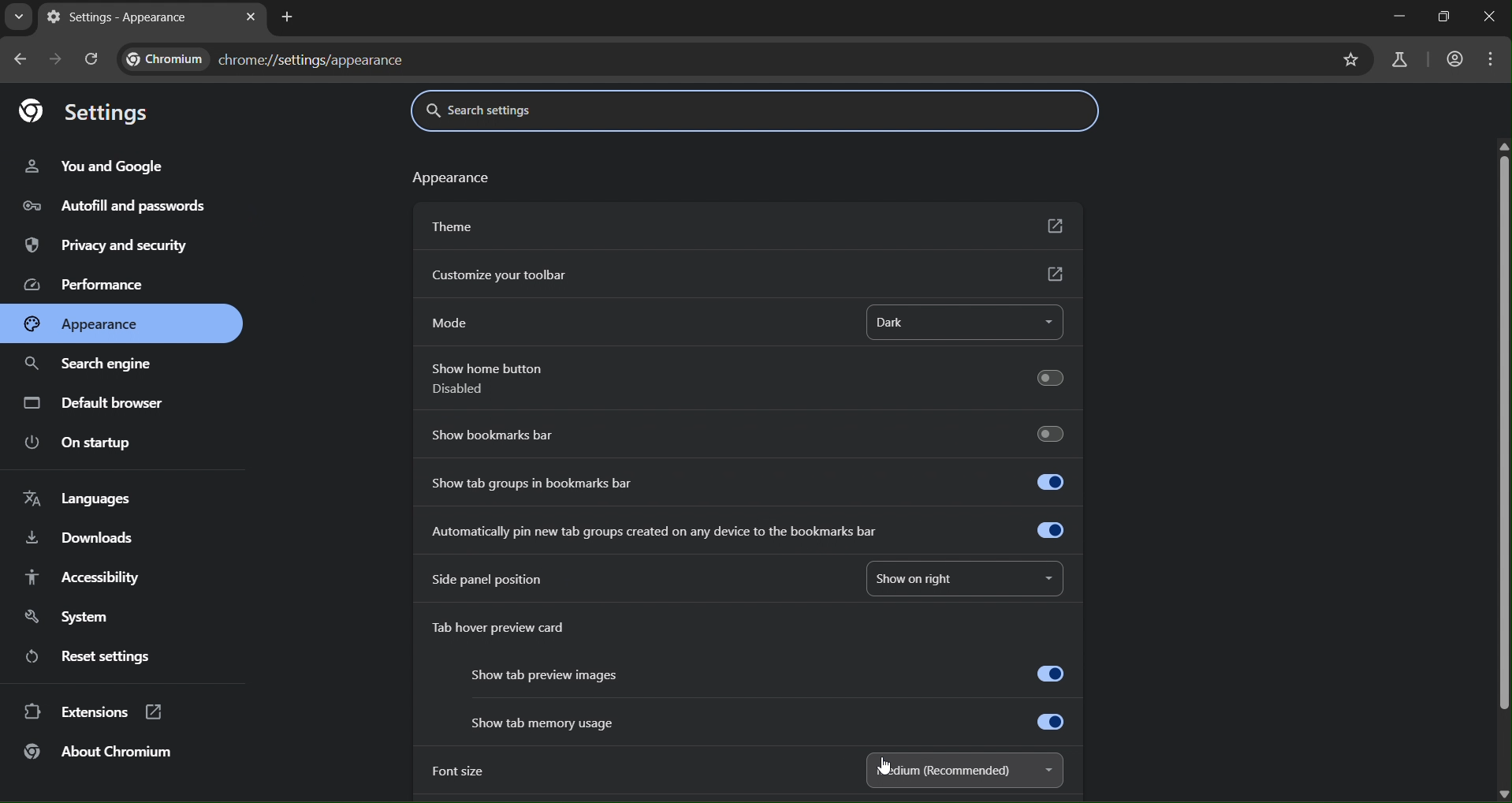 Image resolution: width=1512 pixels, height=803 pixels. What do you see at coordinates (102, 752) in the screenshot?
I see `about chromium` at bounding box center [102, 752].